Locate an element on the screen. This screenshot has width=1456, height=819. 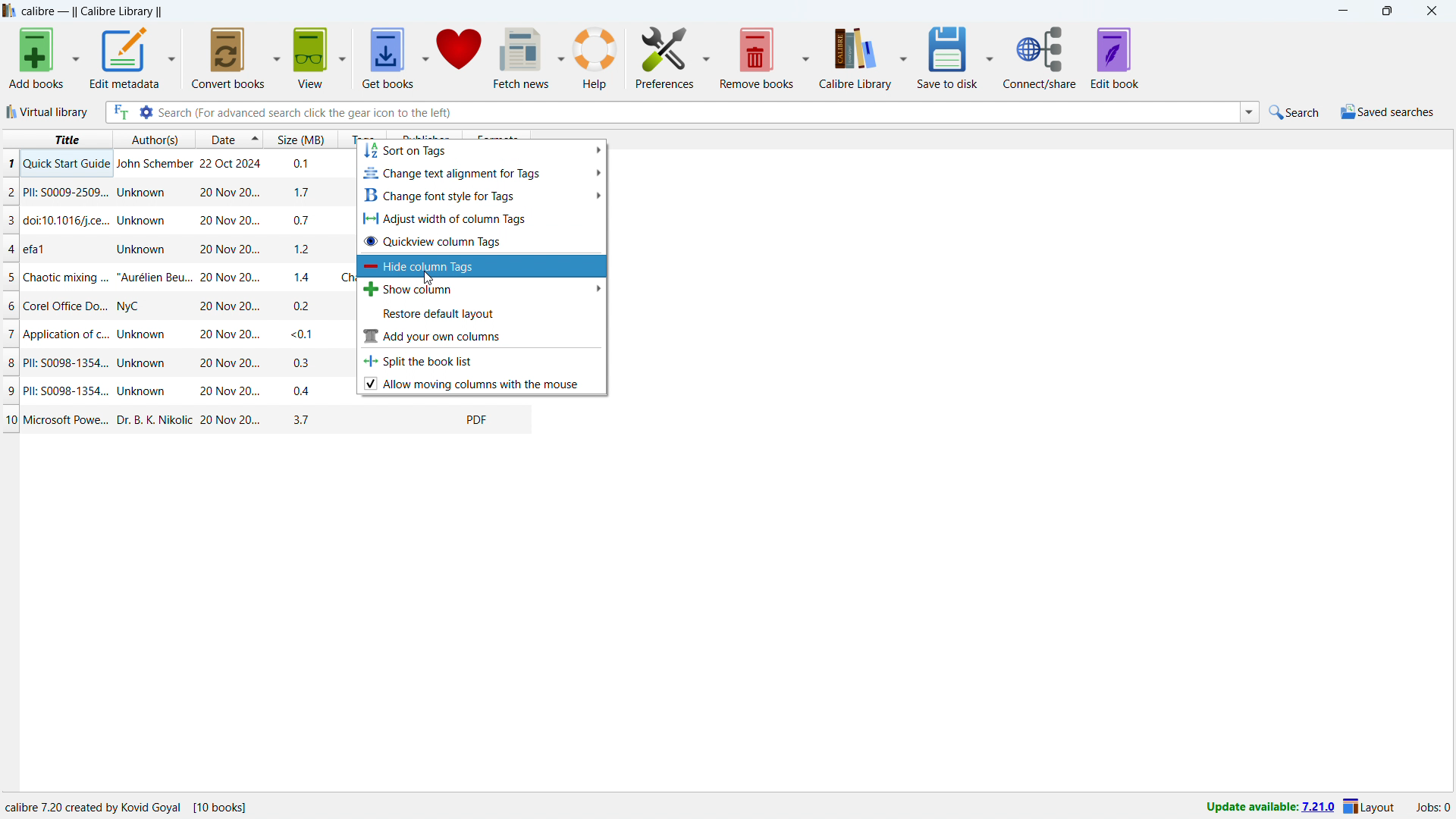
edit metadata options is located at coordinates (171, 56).